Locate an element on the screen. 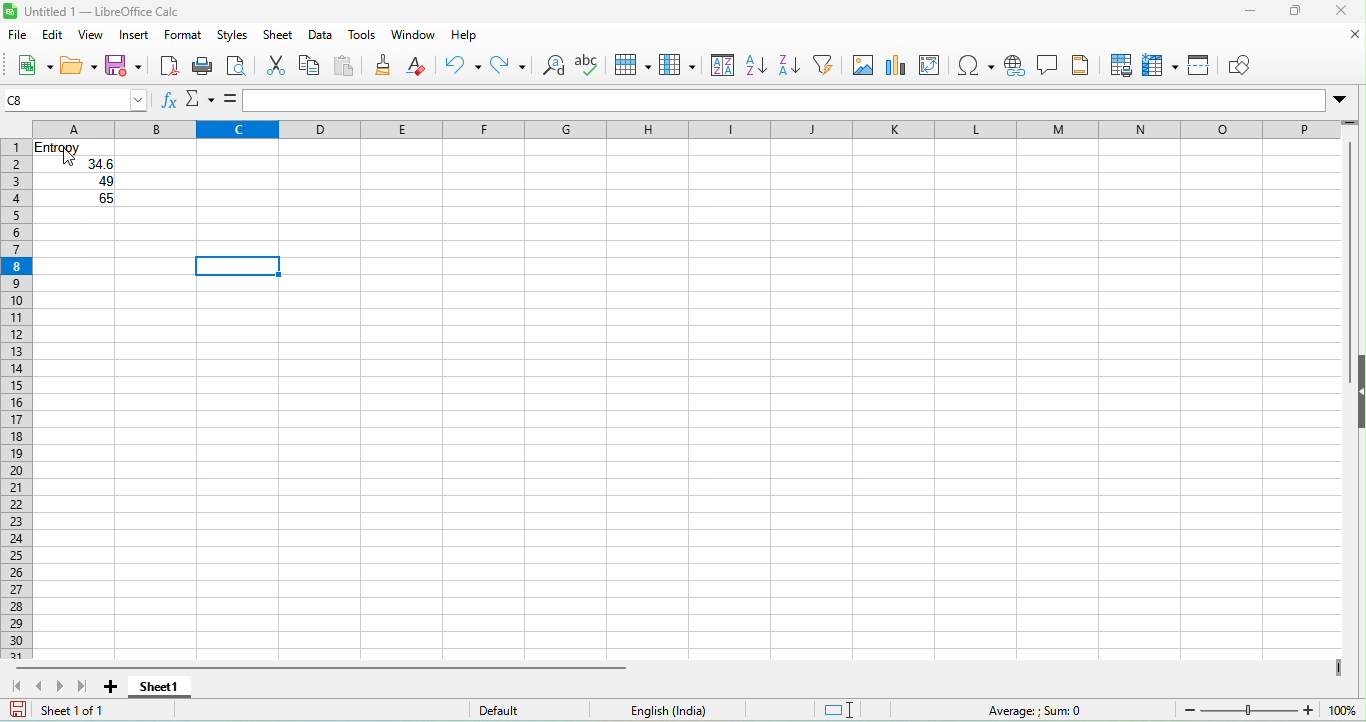  scroll to previous sheet is located at coordinates (43, 684).